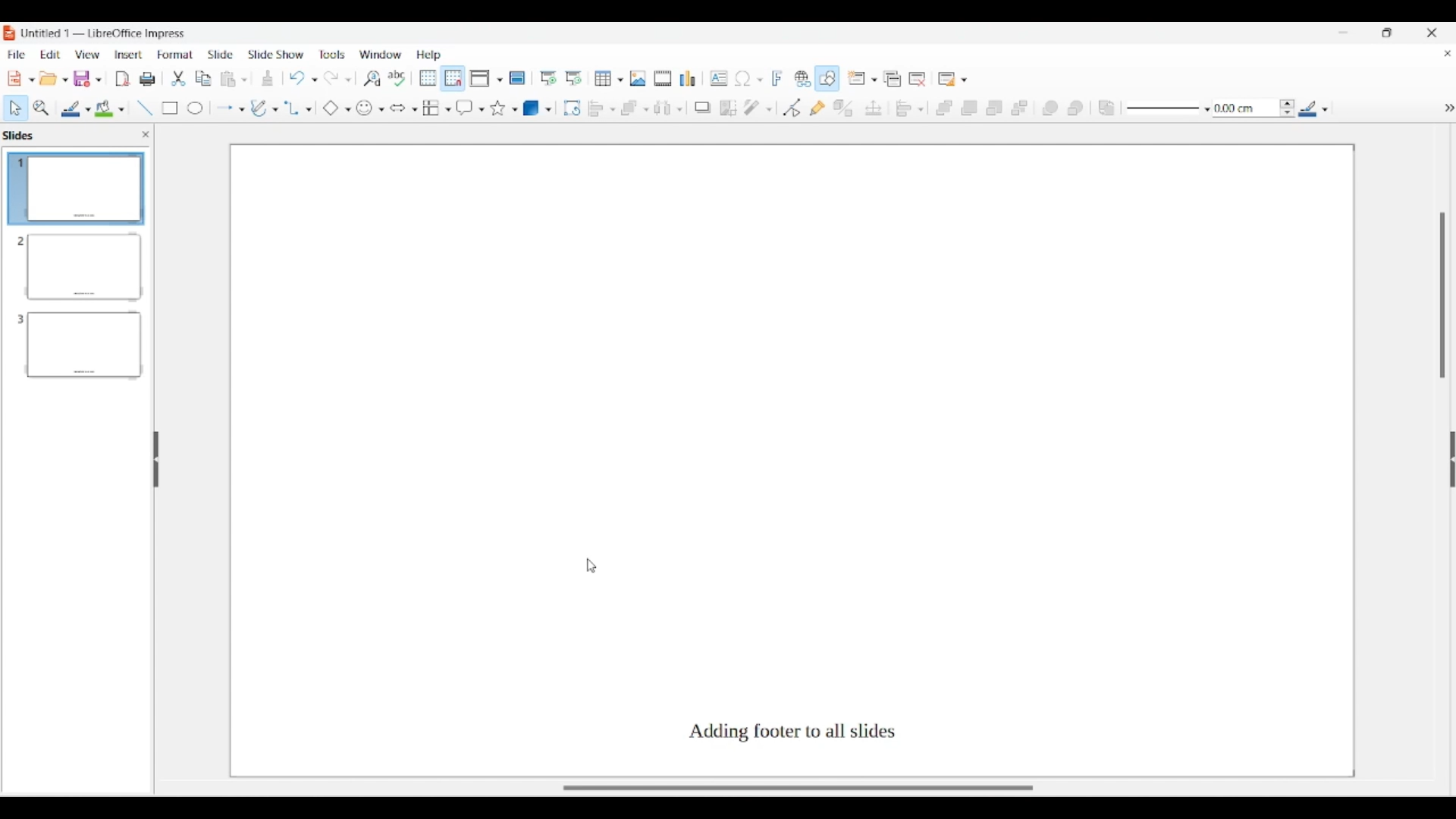  Describe the element at coordinates (436, 108) in the screenshot. I see `Flowchart options` at that location.